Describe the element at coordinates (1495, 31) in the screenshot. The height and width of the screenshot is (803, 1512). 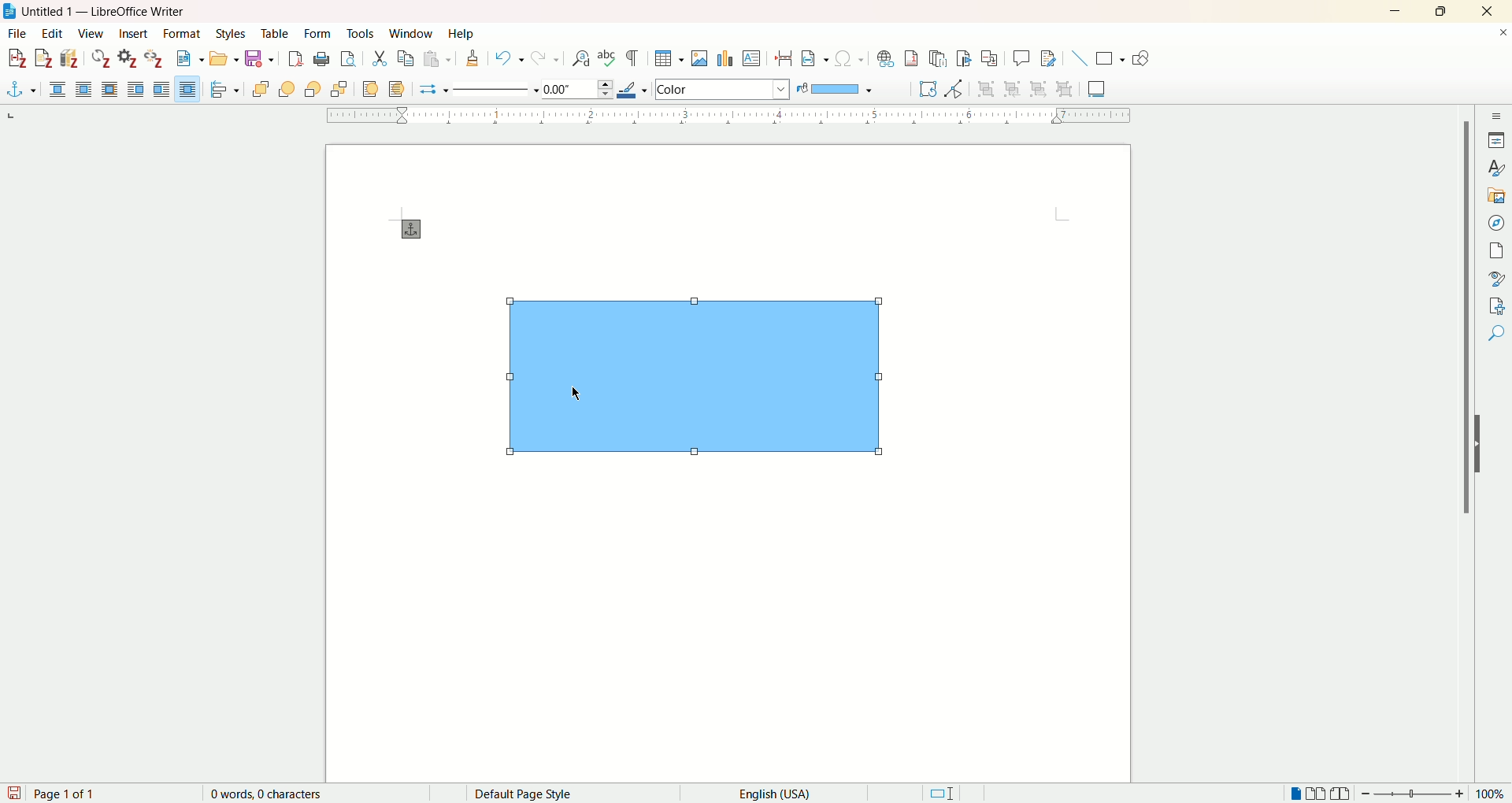
I see `close document` at that location.